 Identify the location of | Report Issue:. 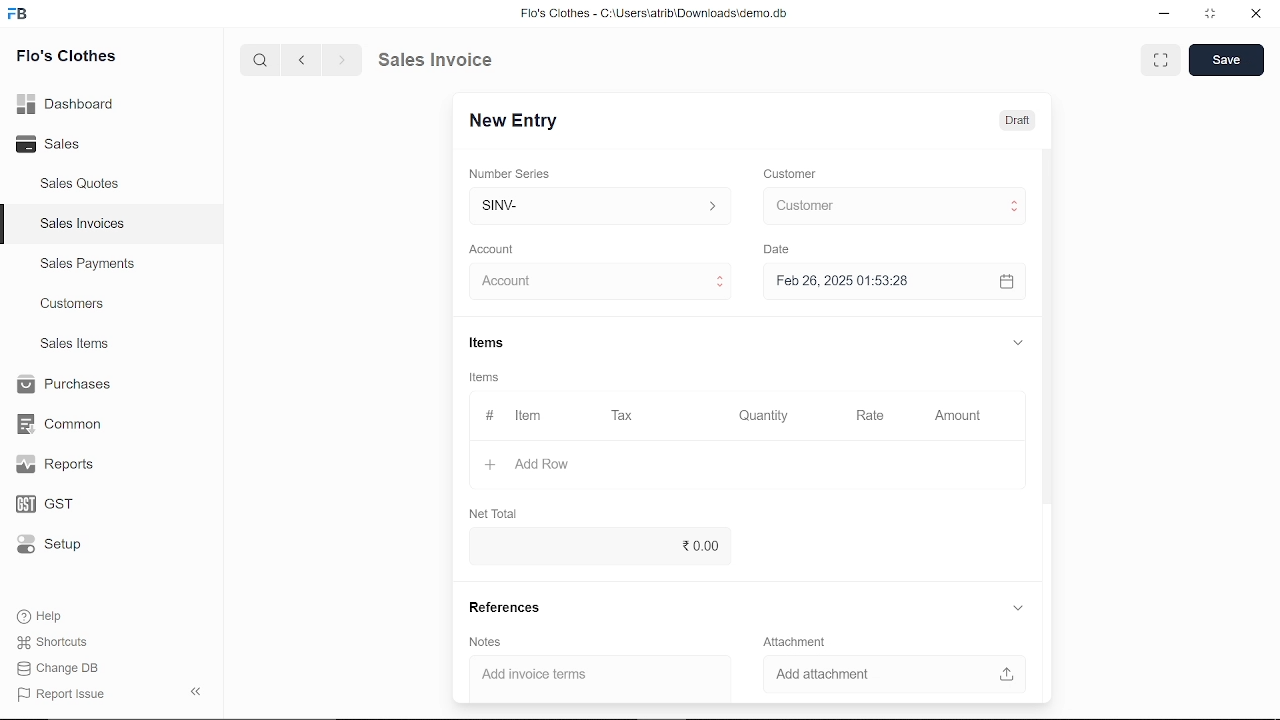
(64, 694).